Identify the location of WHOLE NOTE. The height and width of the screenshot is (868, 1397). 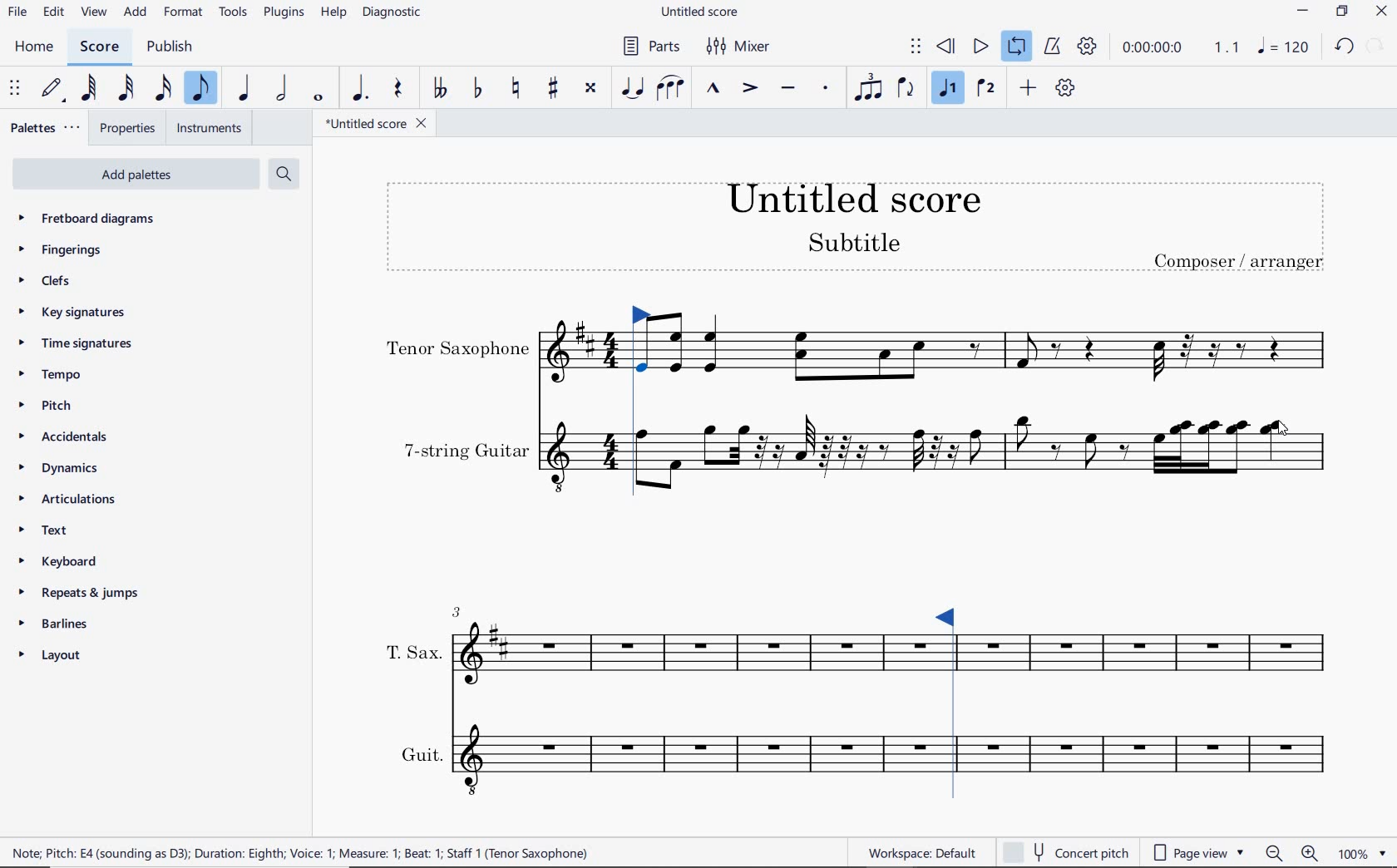
(318, 100).